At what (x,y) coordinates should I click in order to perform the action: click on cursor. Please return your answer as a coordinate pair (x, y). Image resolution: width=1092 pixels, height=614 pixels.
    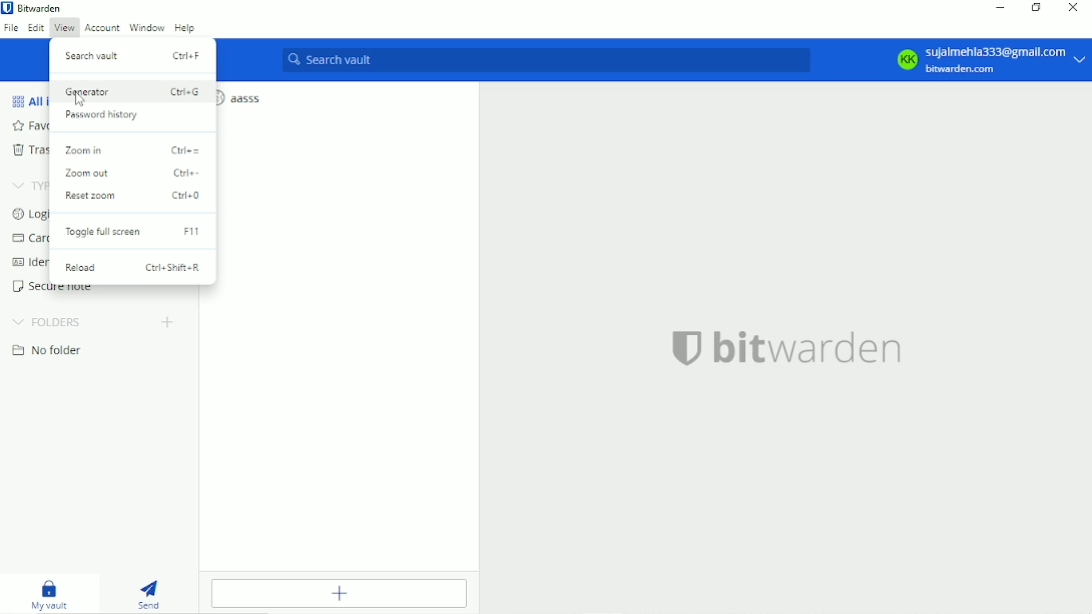
    Looking at the image, I should click on (82, 98).